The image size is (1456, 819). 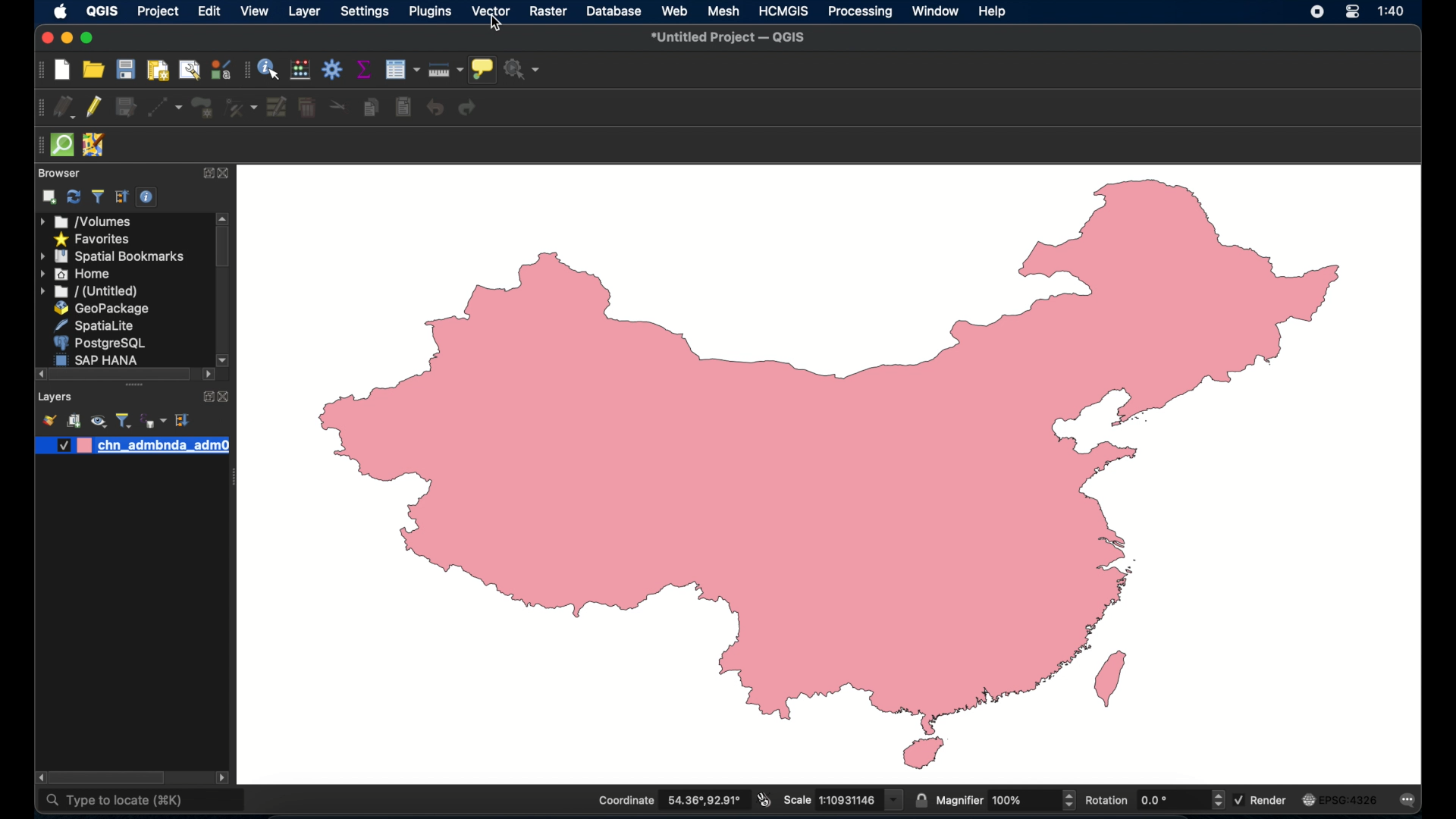 What do you see at coordinates (670, 800) in the screenshot?
I see `coordinate` at bounding box center [670, 800].